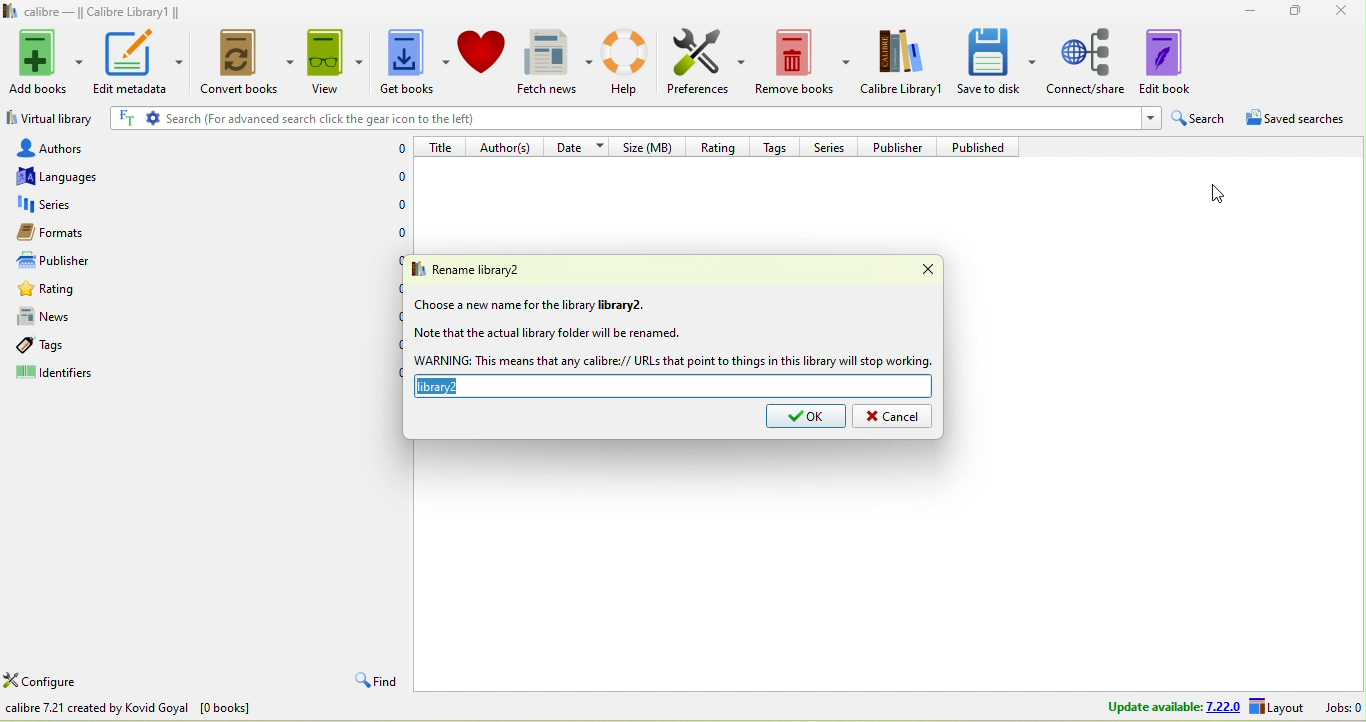 The width and height of the screenshot is (1366, 722). Describe the element at coordinates (707, 63) in the screenshot. I see `preference` at that location.